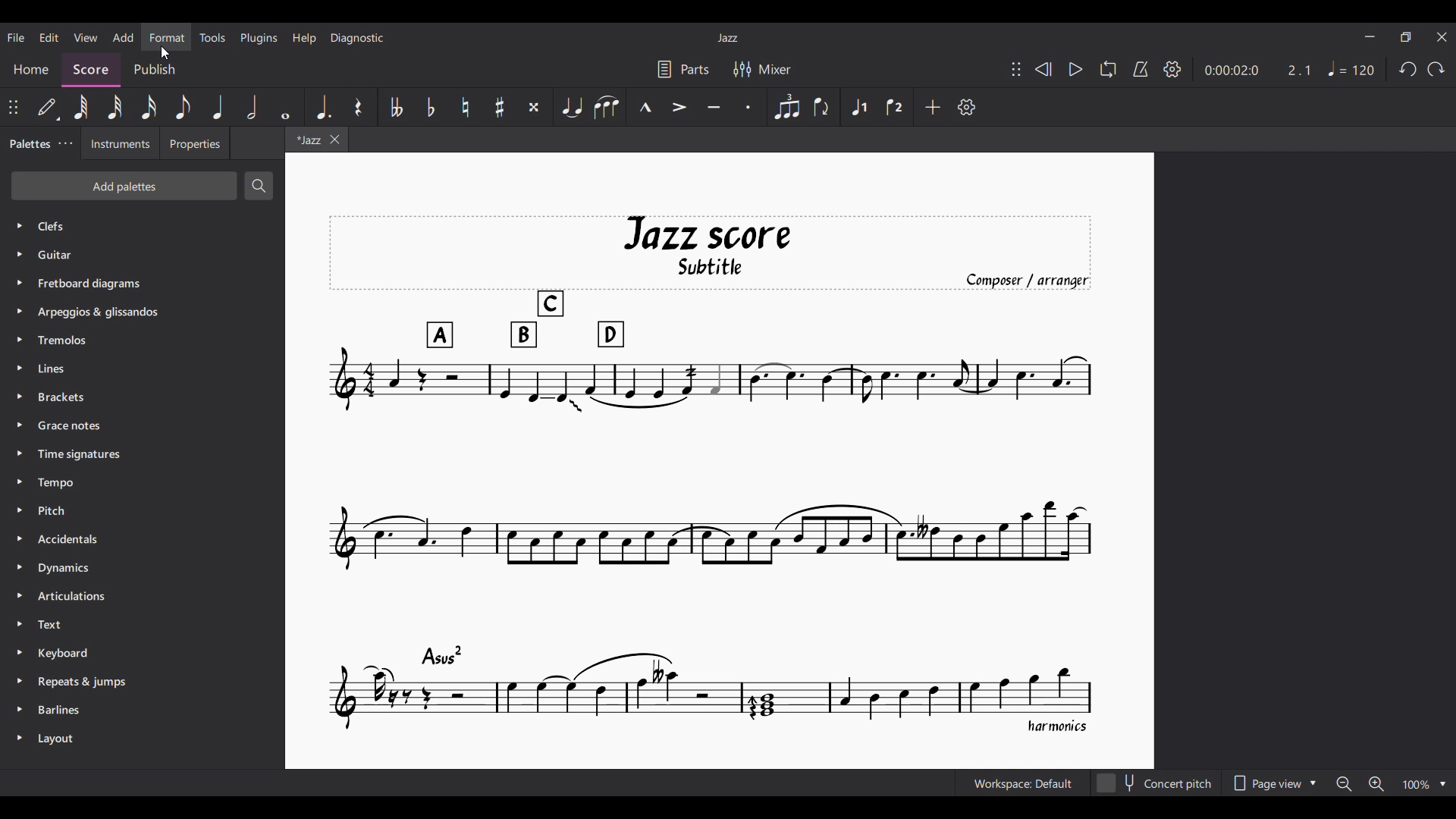  What do you see at coordinates (1156, 783) in the screenshot?
I see `Concert pitch toggle` at bounding box center [1156, 783].